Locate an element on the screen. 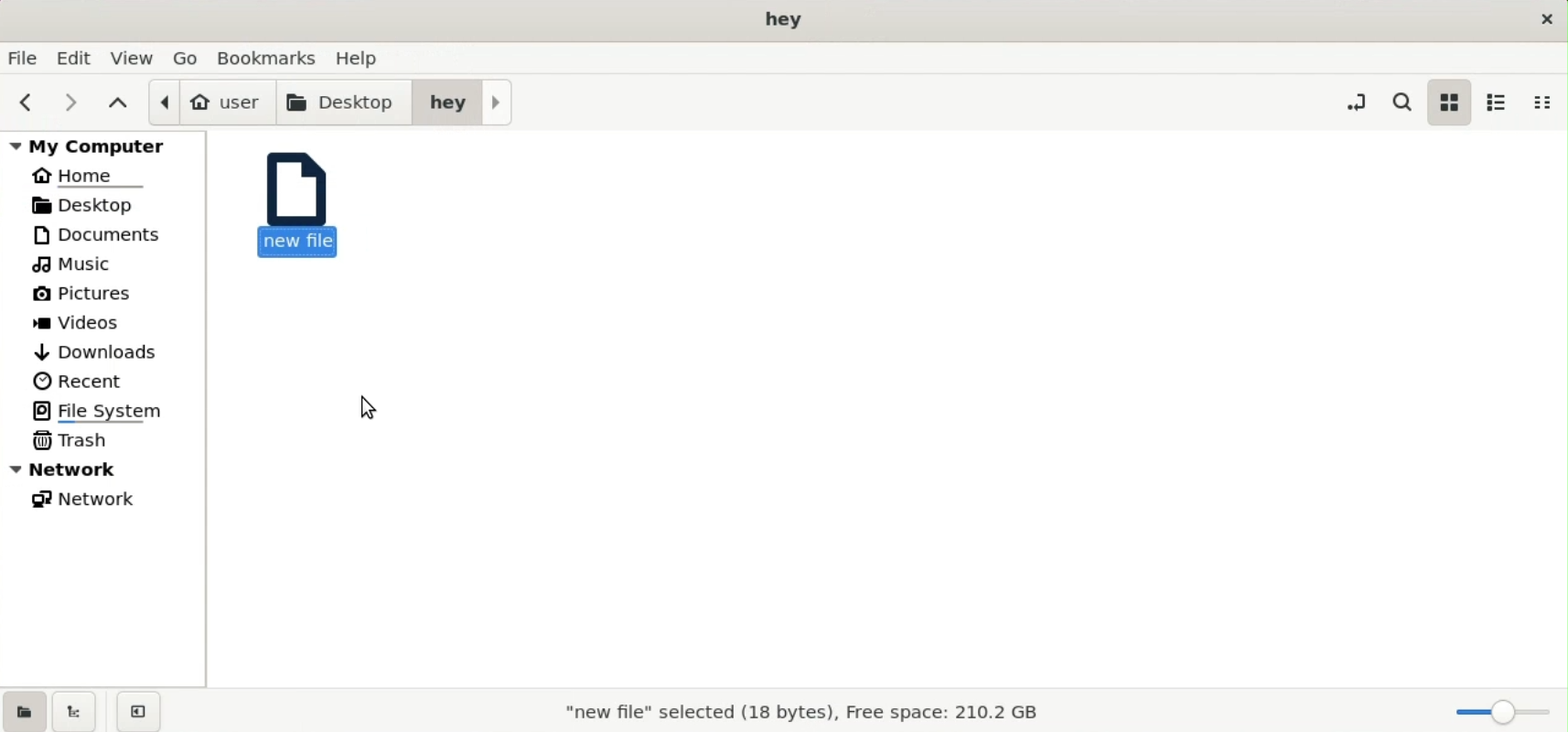 The height and width of the screenshot is (732, 1568). document is located at coordinates (110, 234).